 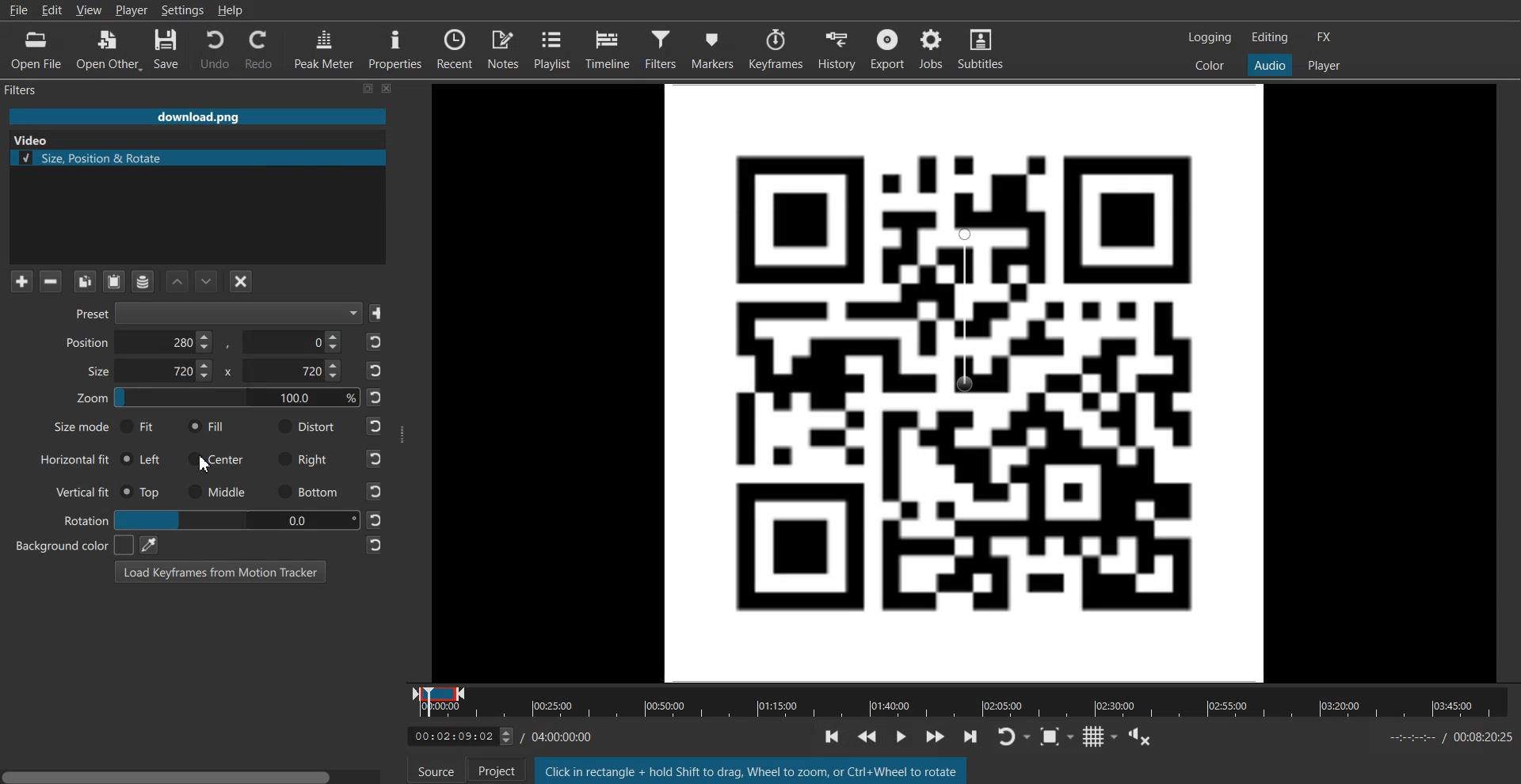 I want to click on Redo, so click(x=259, y=51).